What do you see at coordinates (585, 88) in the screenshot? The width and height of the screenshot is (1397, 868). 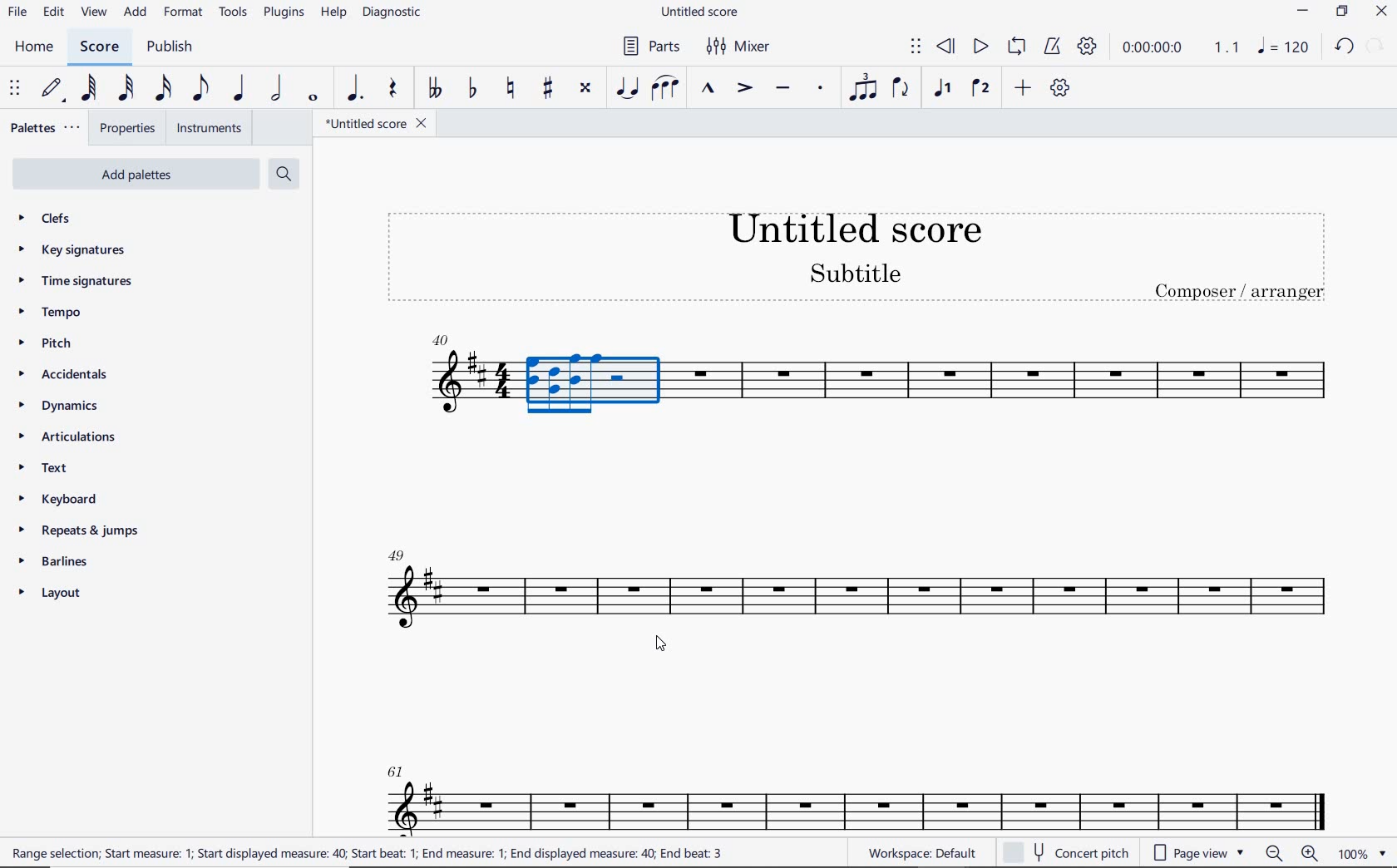 I see `TOGGLE DOUBLE-SHARP` at bounding box center [585, 88].